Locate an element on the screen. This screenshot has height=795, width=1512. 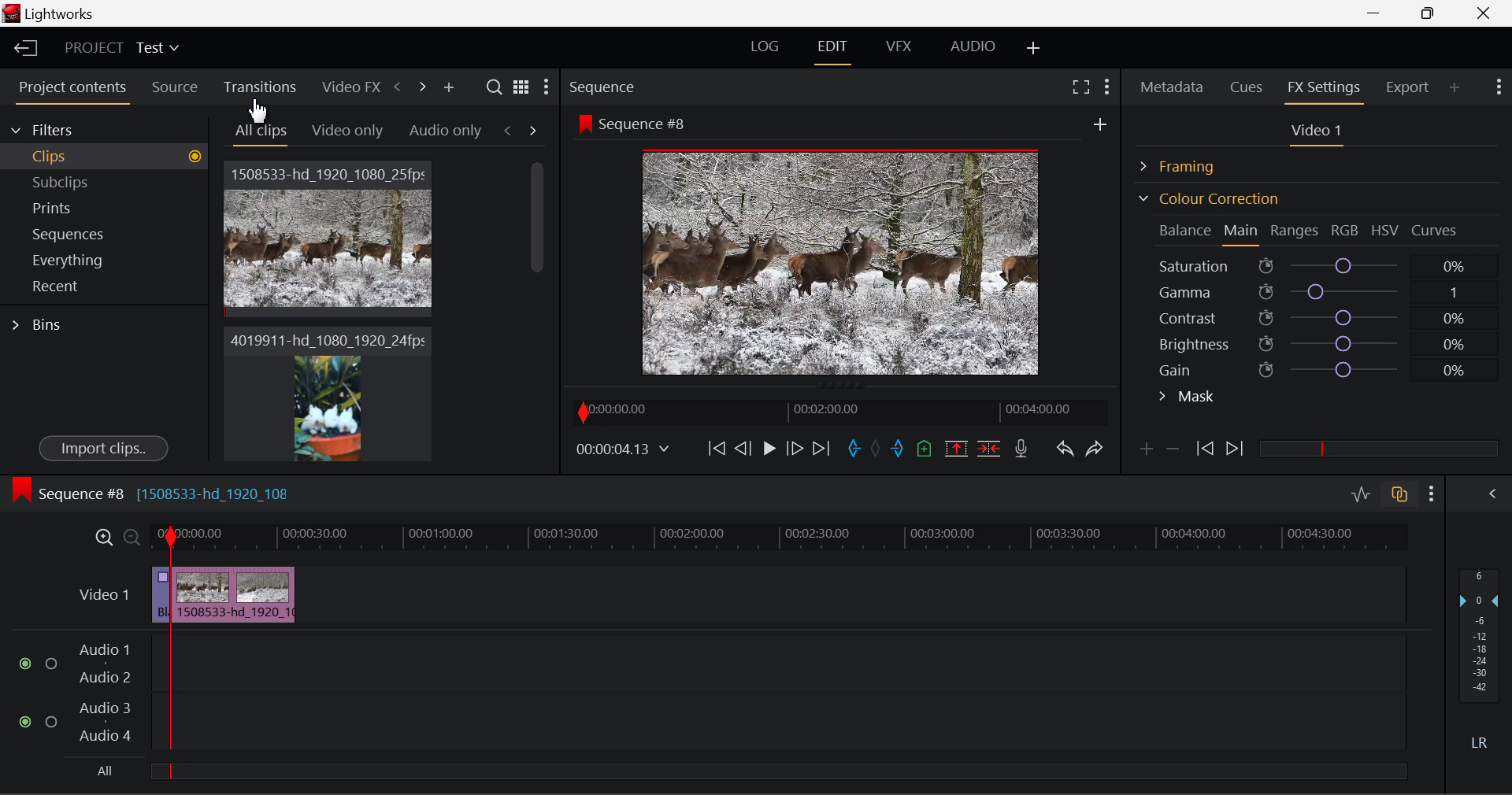
Framing Section is located at coordinates (1190, 164).